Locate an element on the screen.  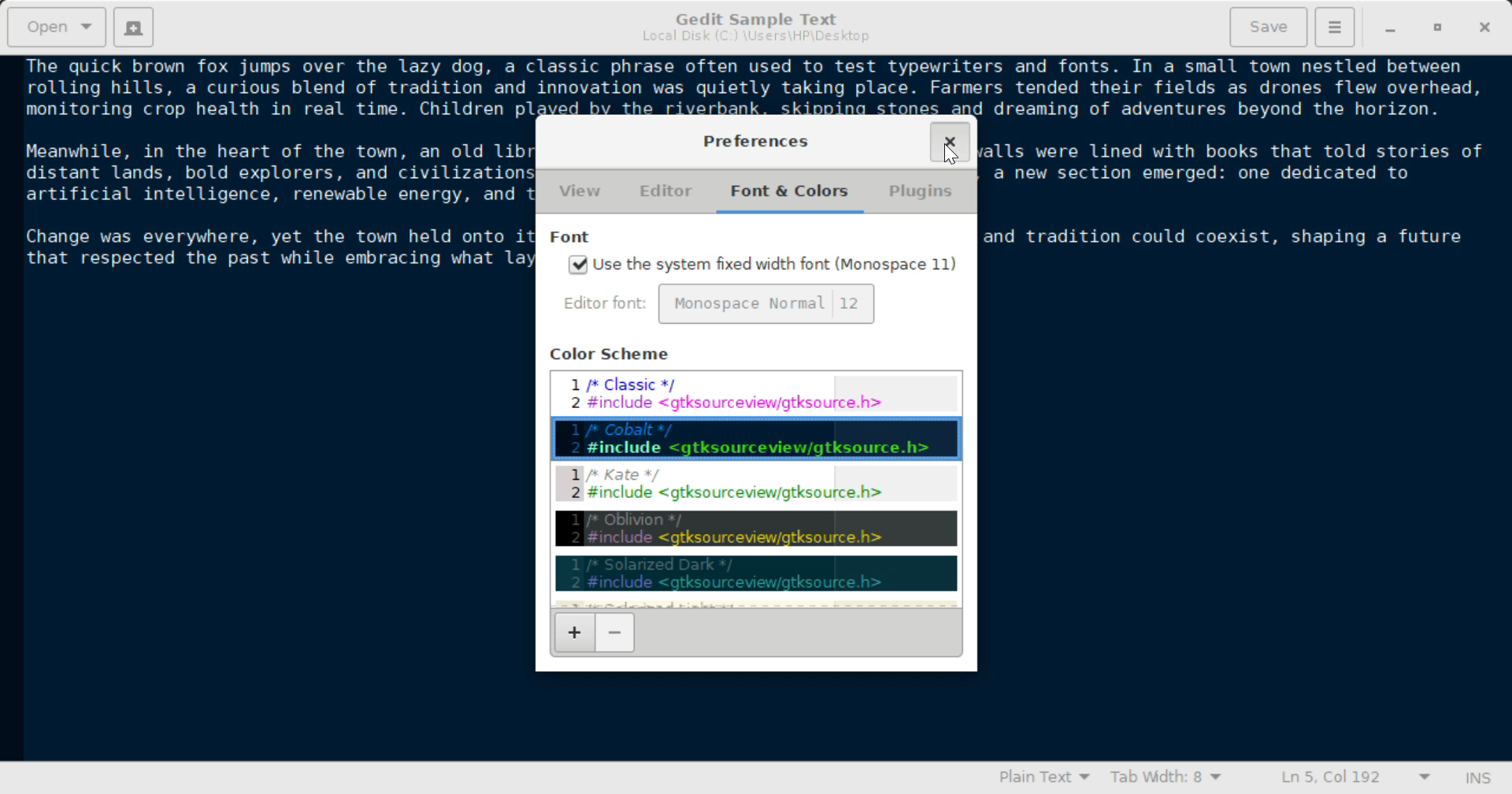
Monospace Normal 12 is located at coordinates (767, 304).